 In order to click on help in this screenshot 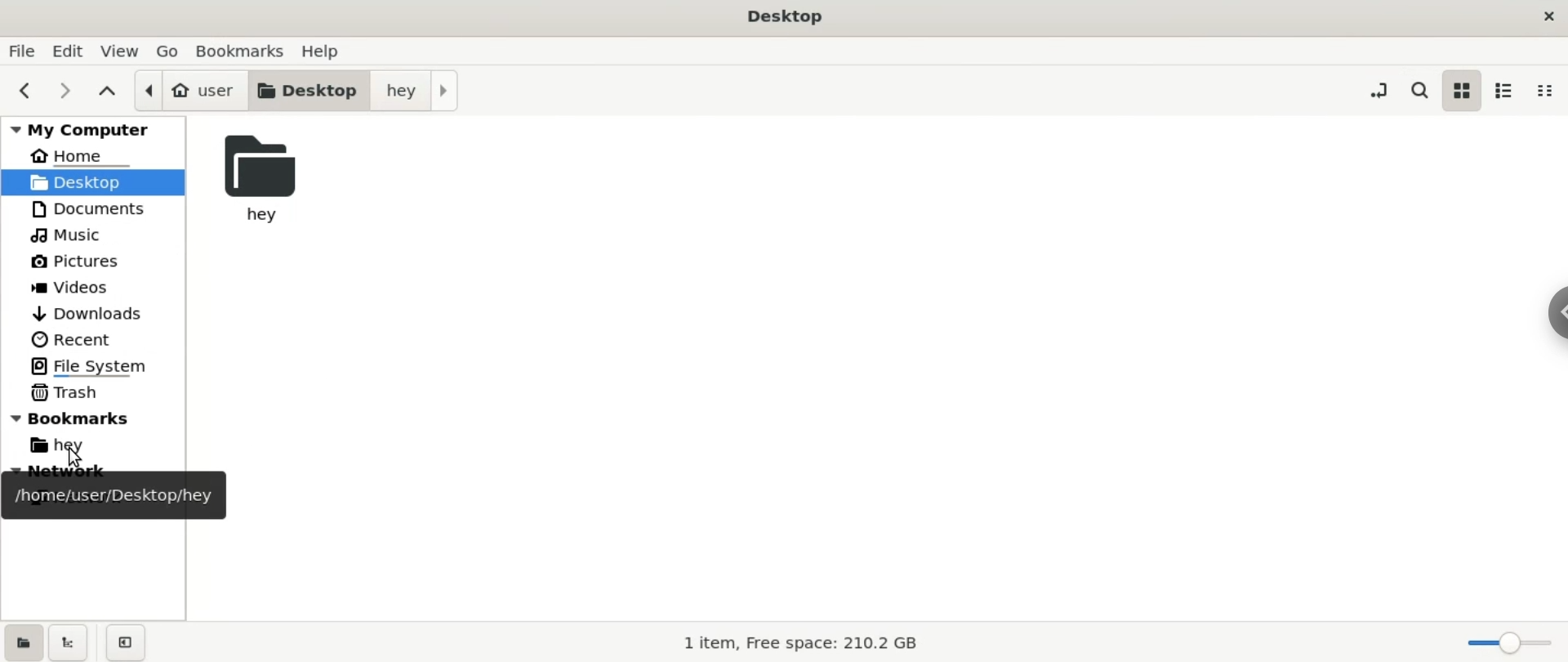, I will do `click(331, 51)`.